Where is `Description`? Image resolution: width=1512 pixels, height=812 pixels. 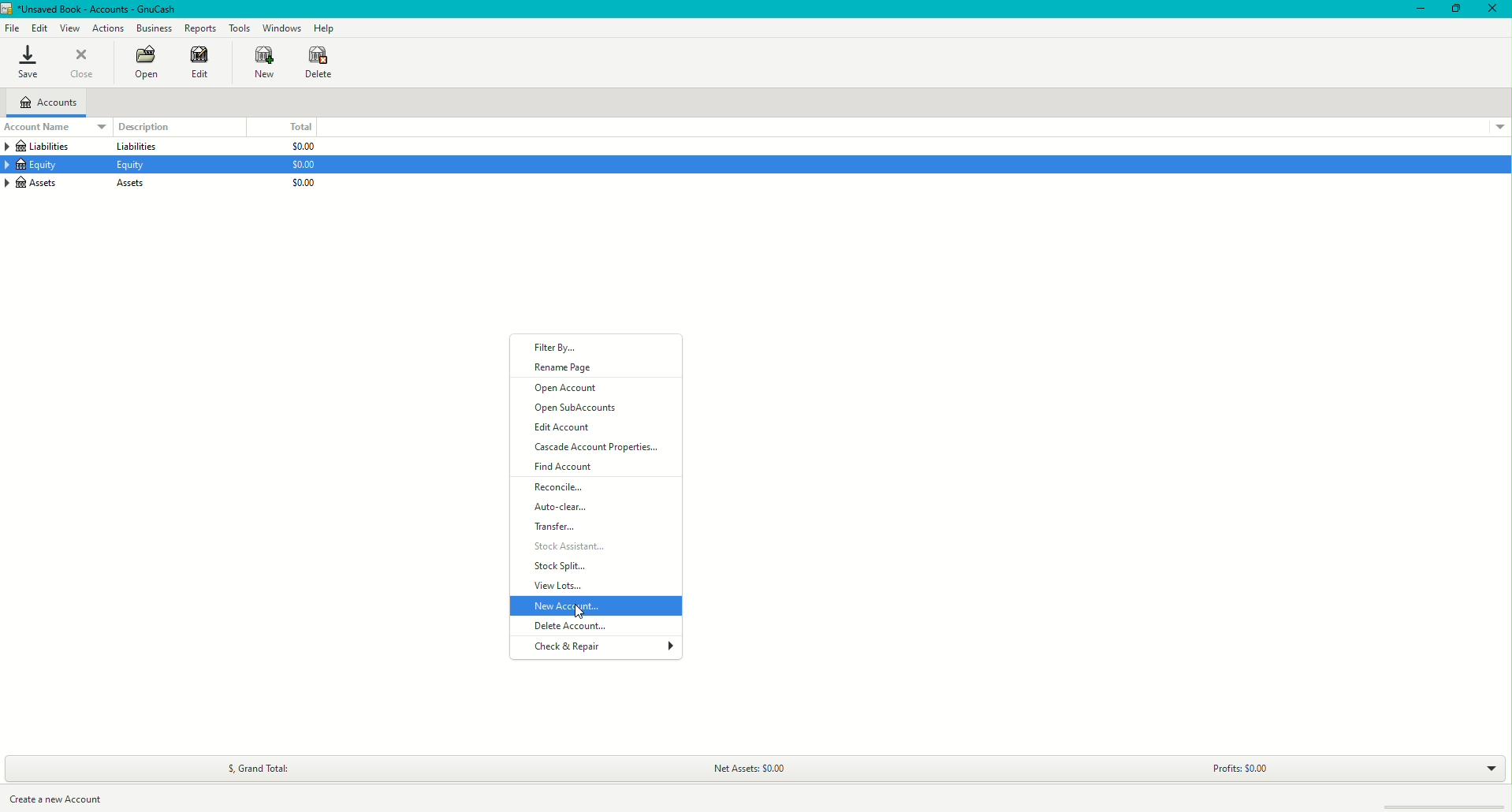 Description is located at coordinates (142, 126).